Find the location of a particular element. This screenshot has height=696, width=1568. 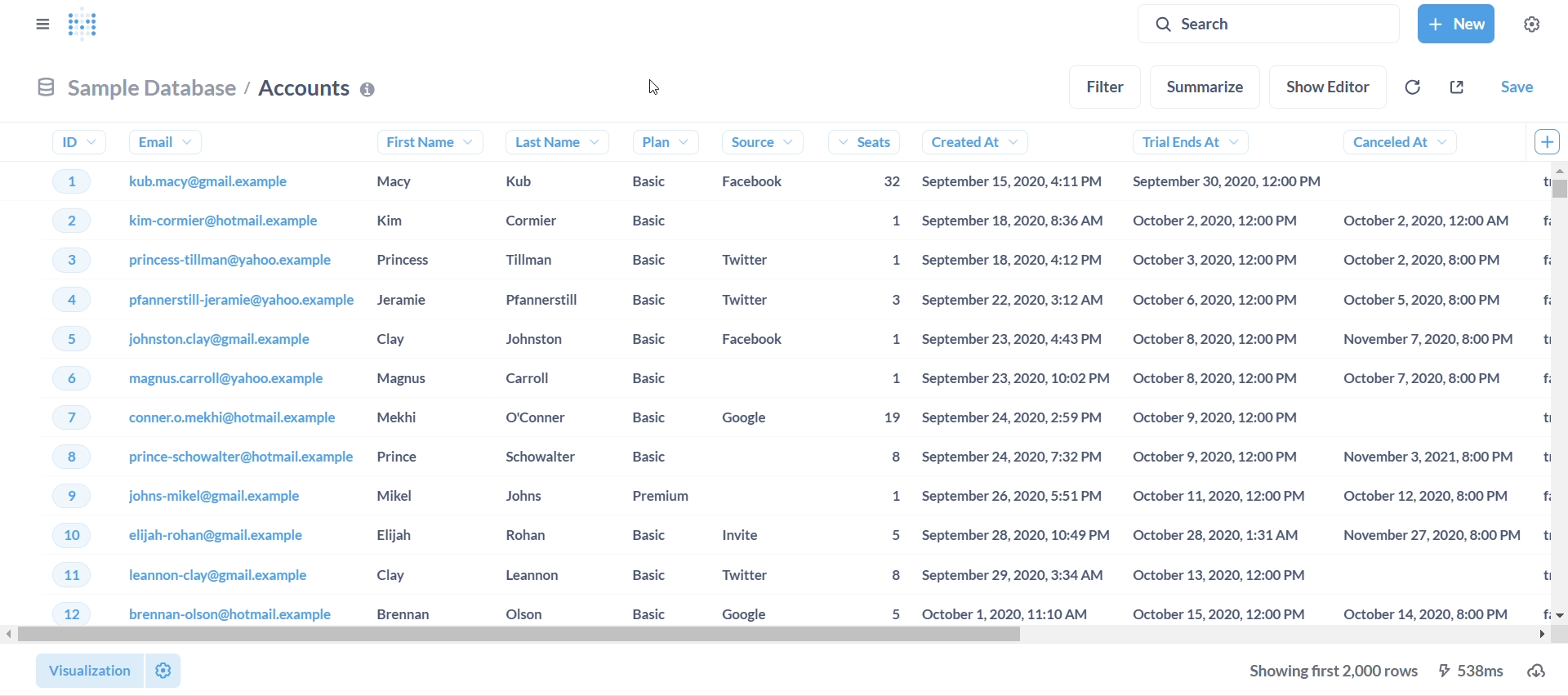

search is located at coordinates (1225, 23).